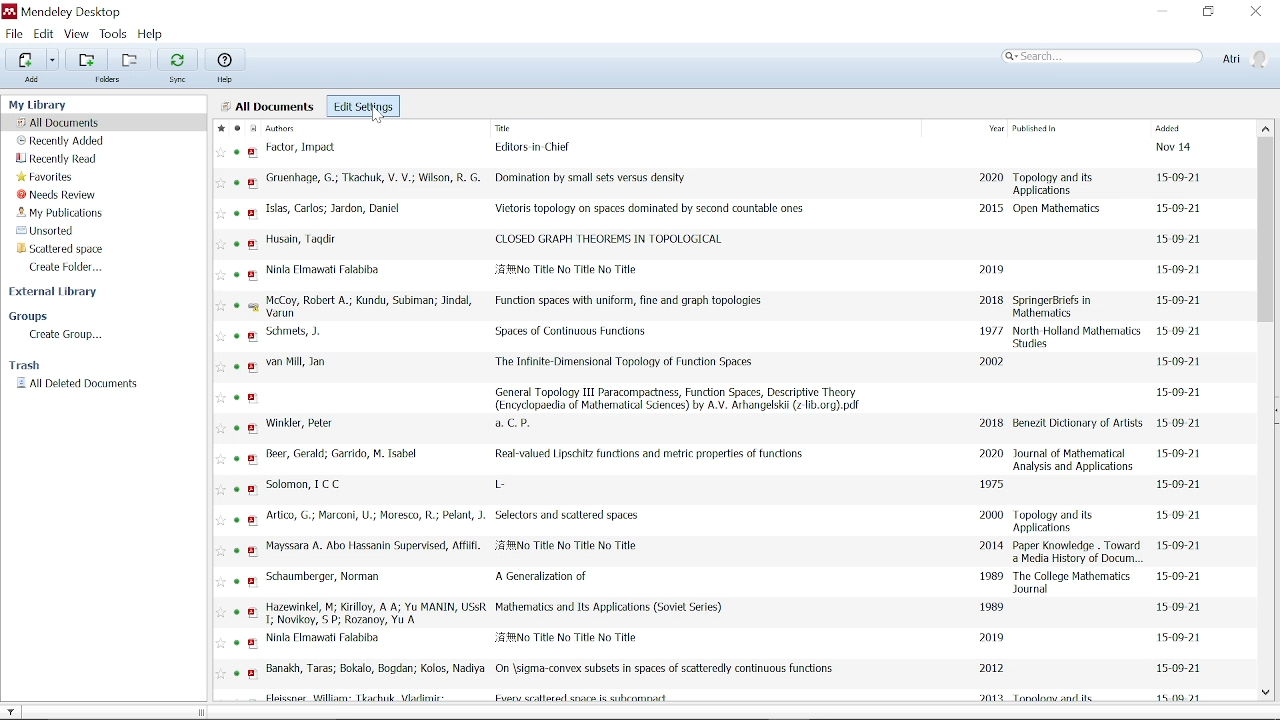 The width and height of the screenshot is (1280, 720). What do you see at coordinates (1209, 12) in the screenshot?
I see `Restore down` at bounding box center [1209, 12].